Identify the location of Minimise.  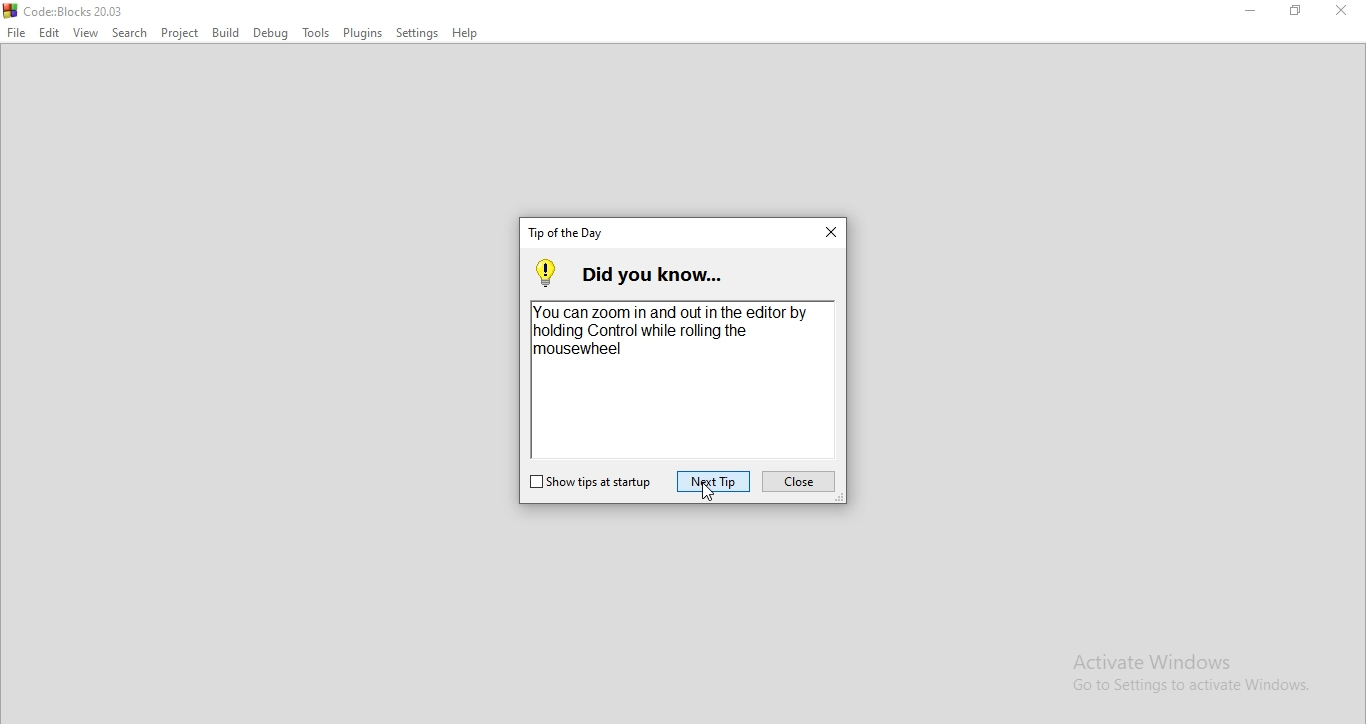
(1248, 10).